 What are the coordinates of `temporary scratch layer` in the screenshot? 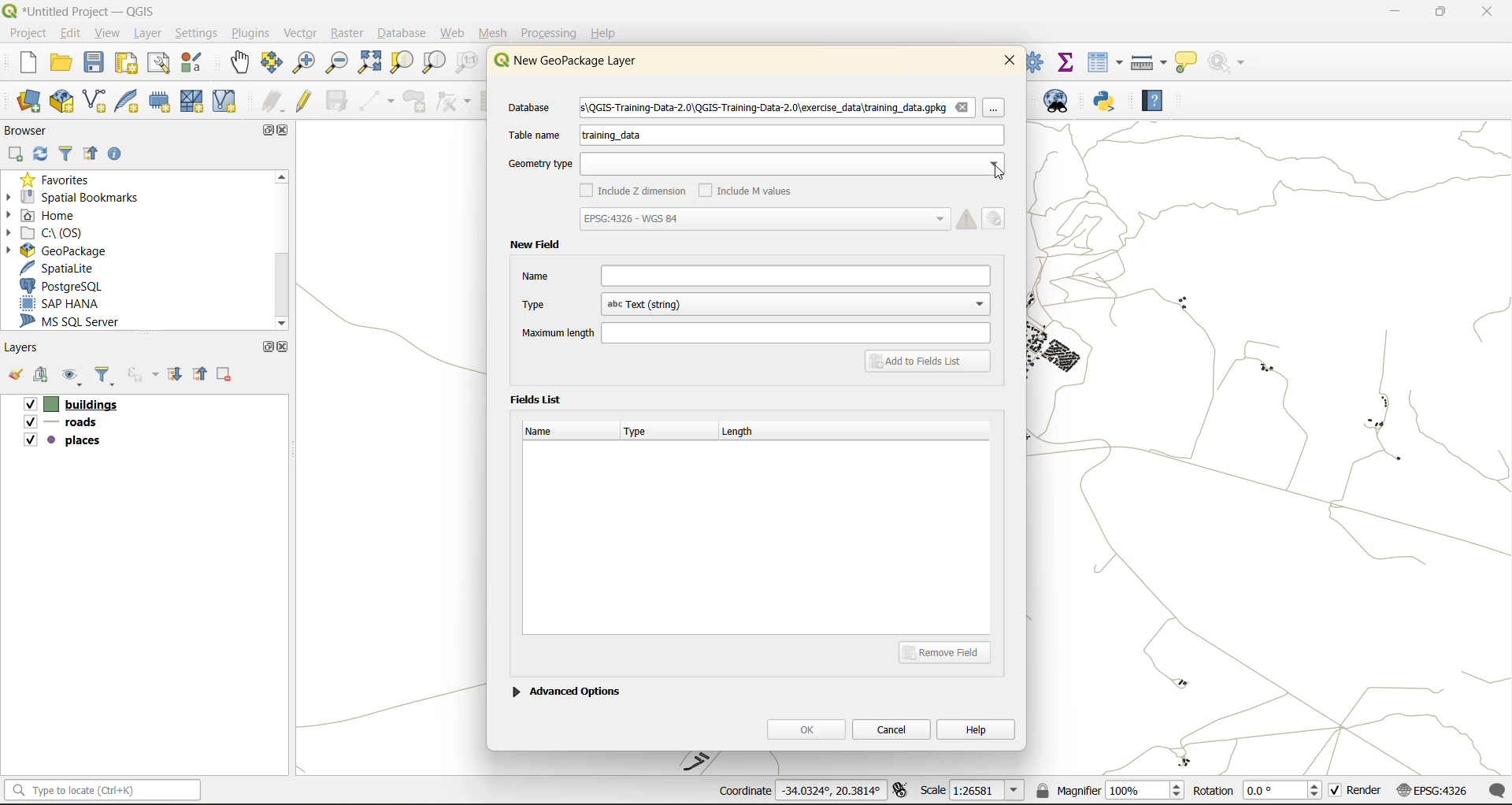 It's located at (161, 102).